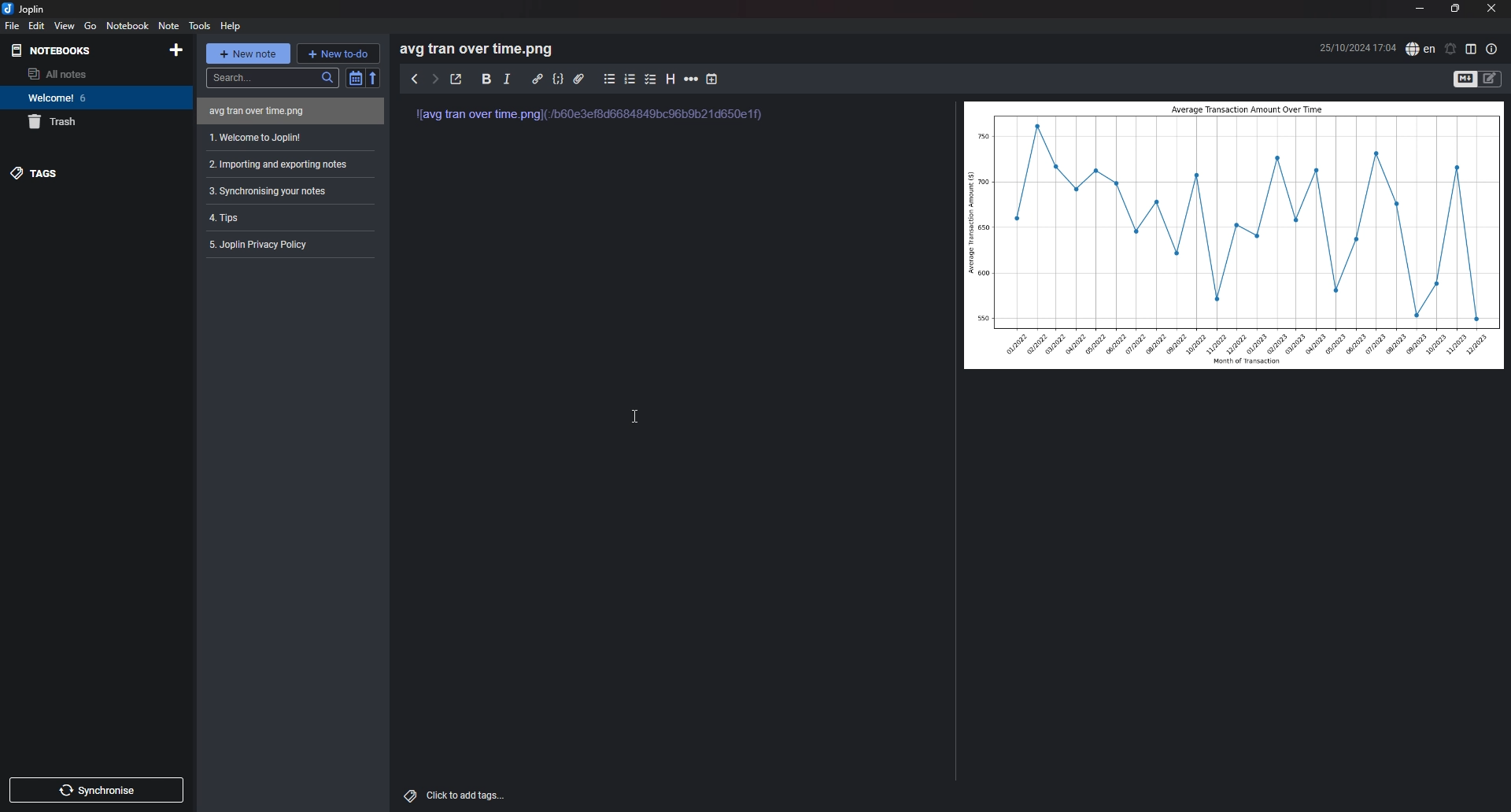 The width and height of the screenshot is (1511, 812). I want to click on notebooks, so click(79, 50).